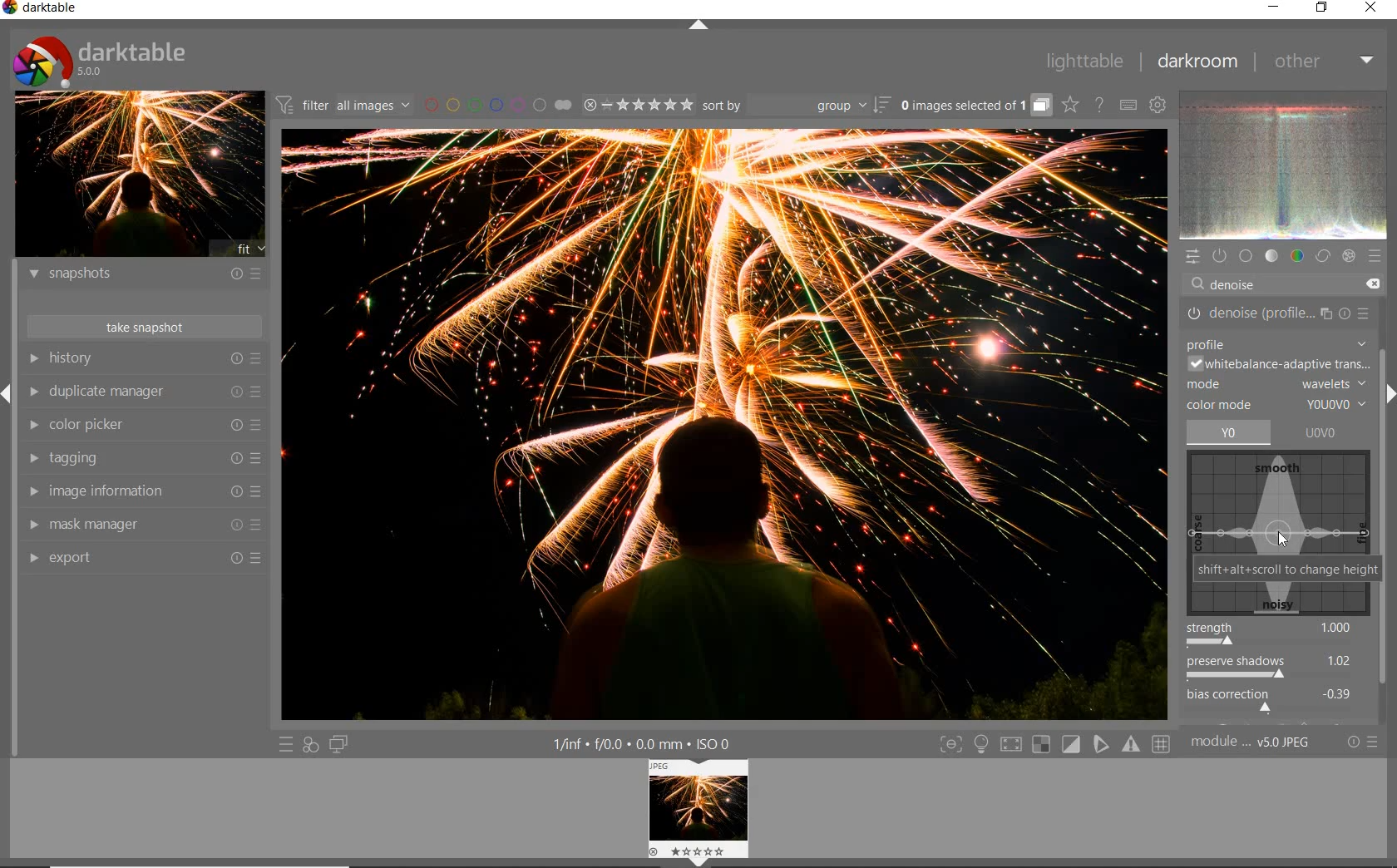  What do you see at coordinates (700, 26) in the screenshot?
I see `expand/collapse` at bounding box center [700, 26].